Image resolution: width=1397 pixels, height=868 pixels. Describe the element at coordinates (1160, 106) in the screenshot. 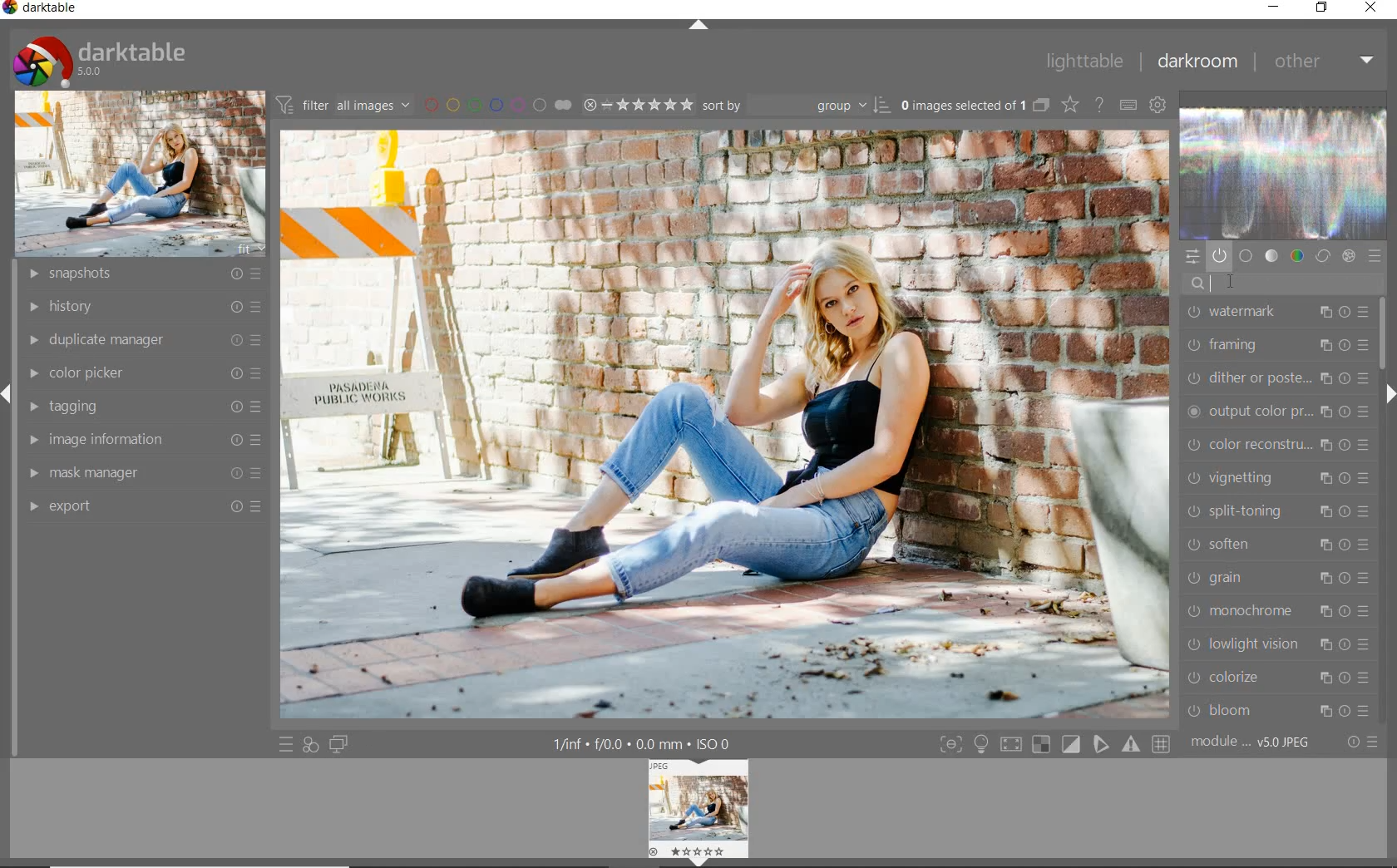

I see `show global preferences` at that location.